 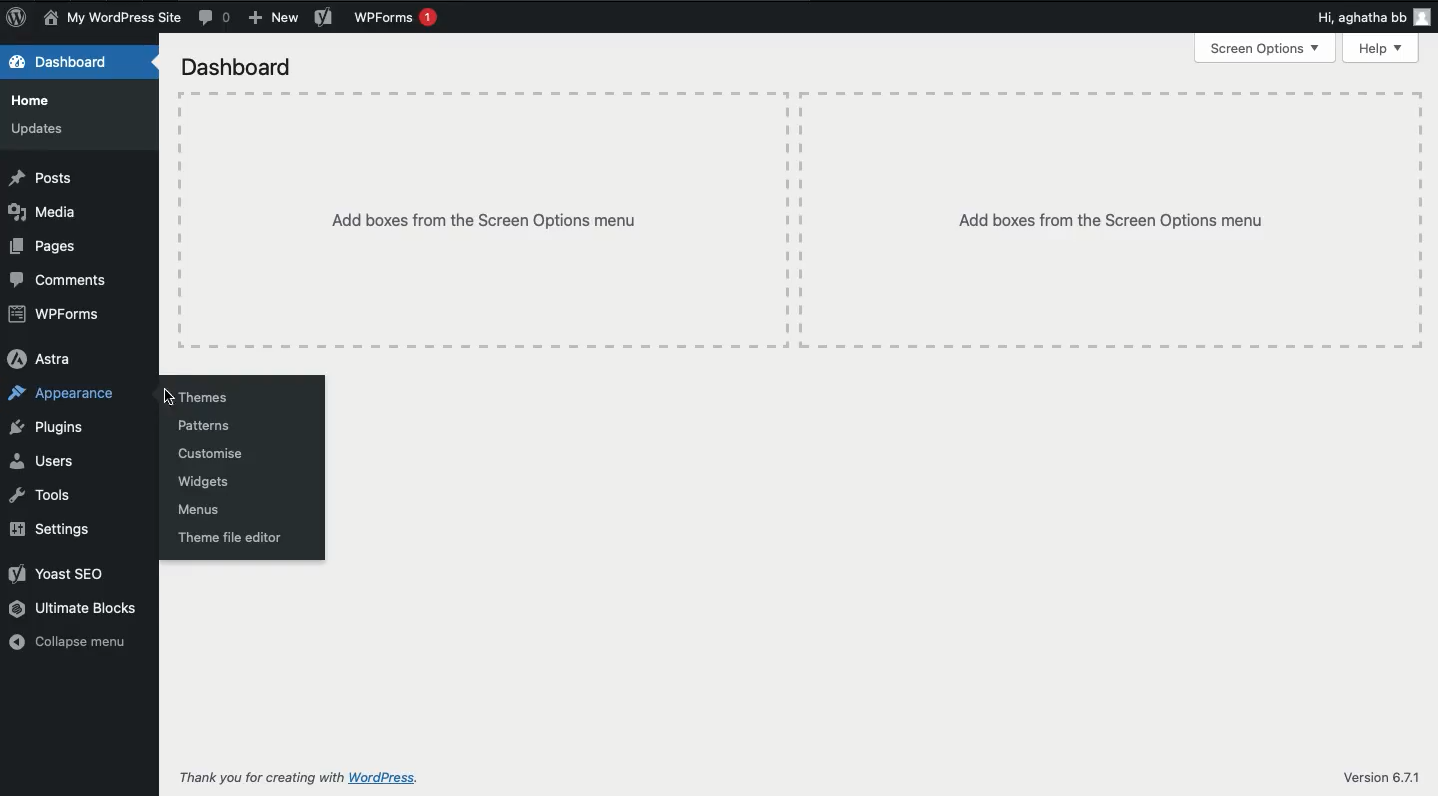 I want to click on News, so click(x=115, y=17).